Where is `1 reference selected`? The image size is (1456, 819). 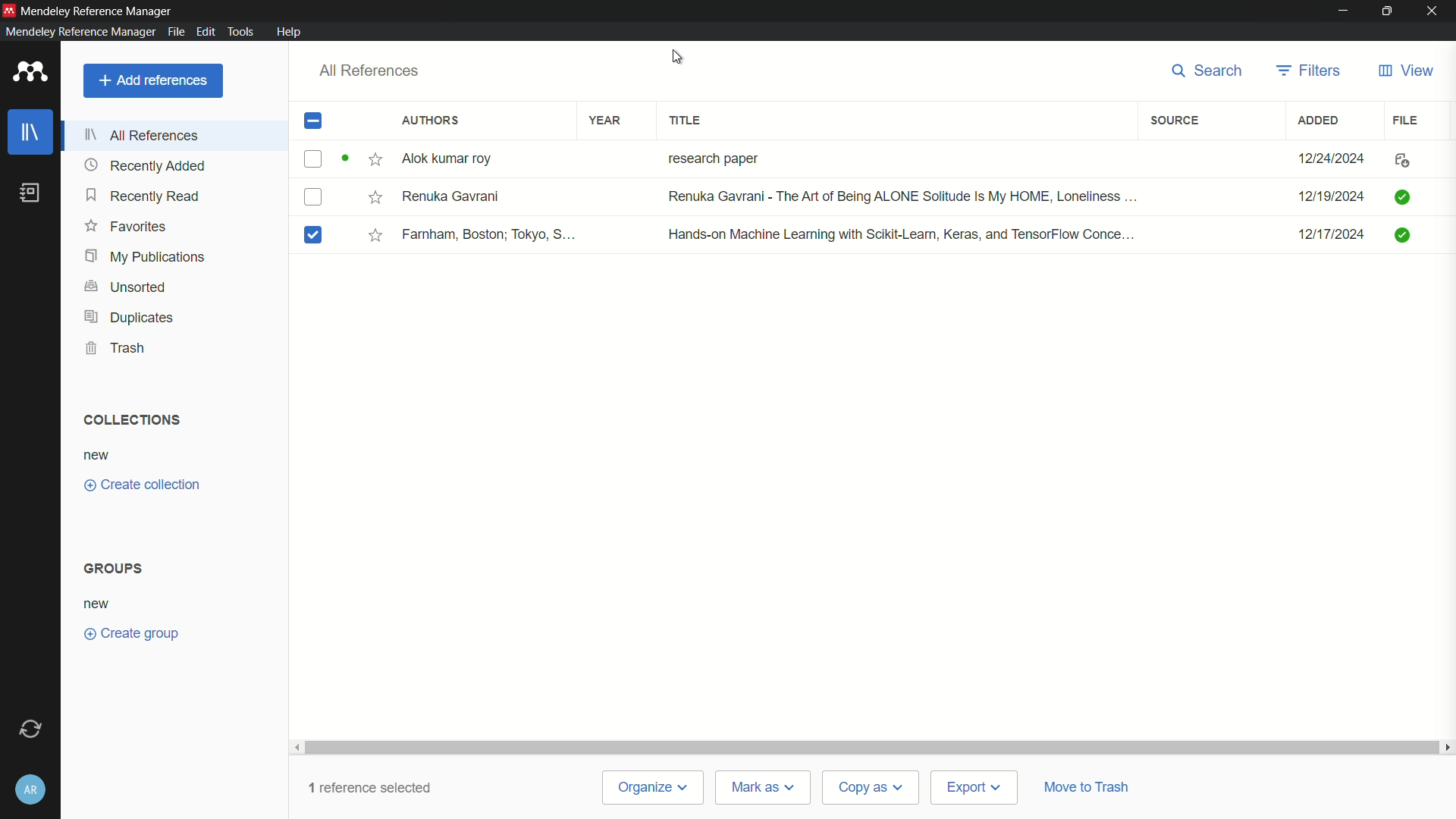 1 reference selected is located at coordinates (375, 787).